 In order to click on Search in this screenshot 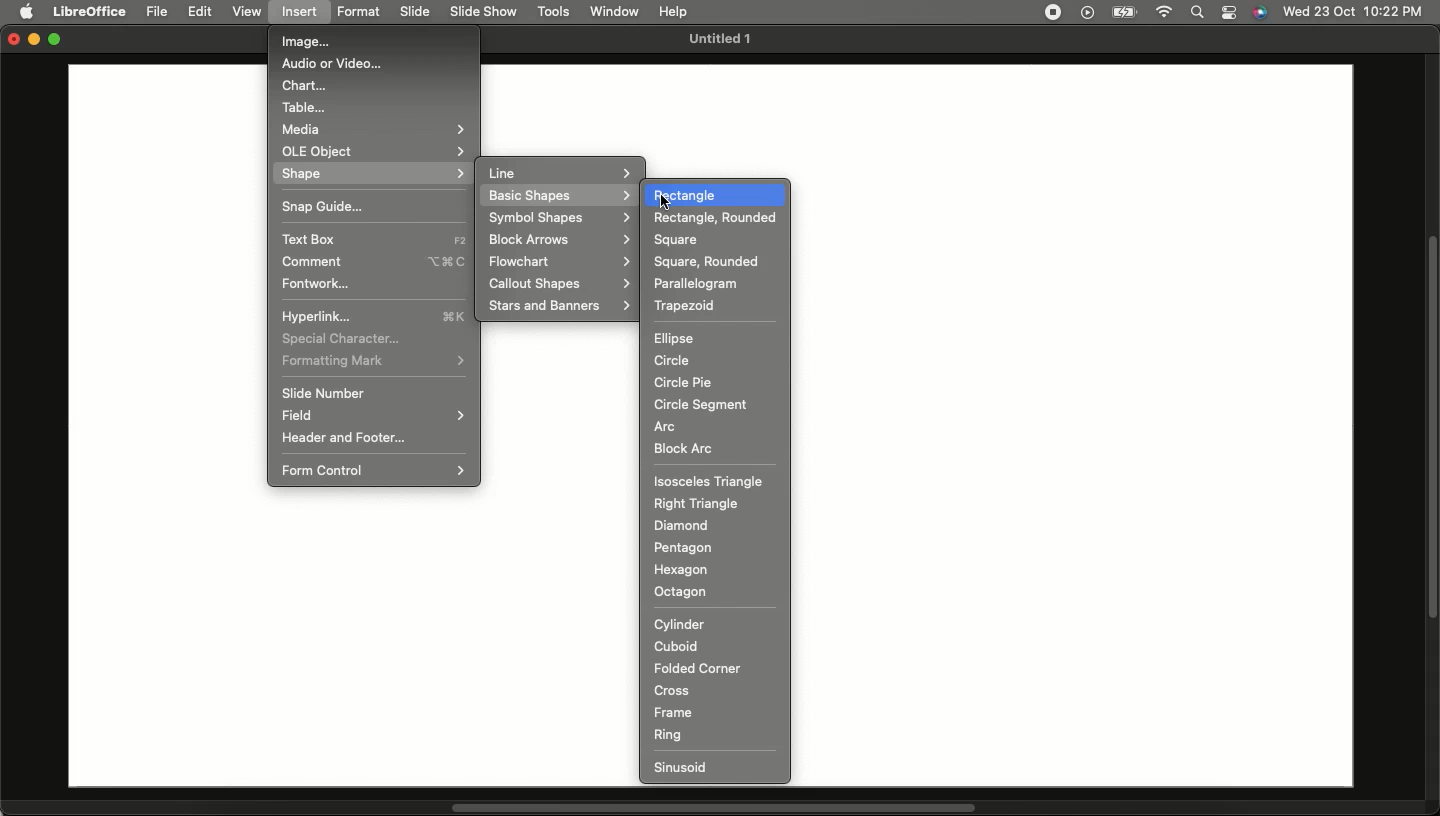, I will do `click(1196, 13)`.